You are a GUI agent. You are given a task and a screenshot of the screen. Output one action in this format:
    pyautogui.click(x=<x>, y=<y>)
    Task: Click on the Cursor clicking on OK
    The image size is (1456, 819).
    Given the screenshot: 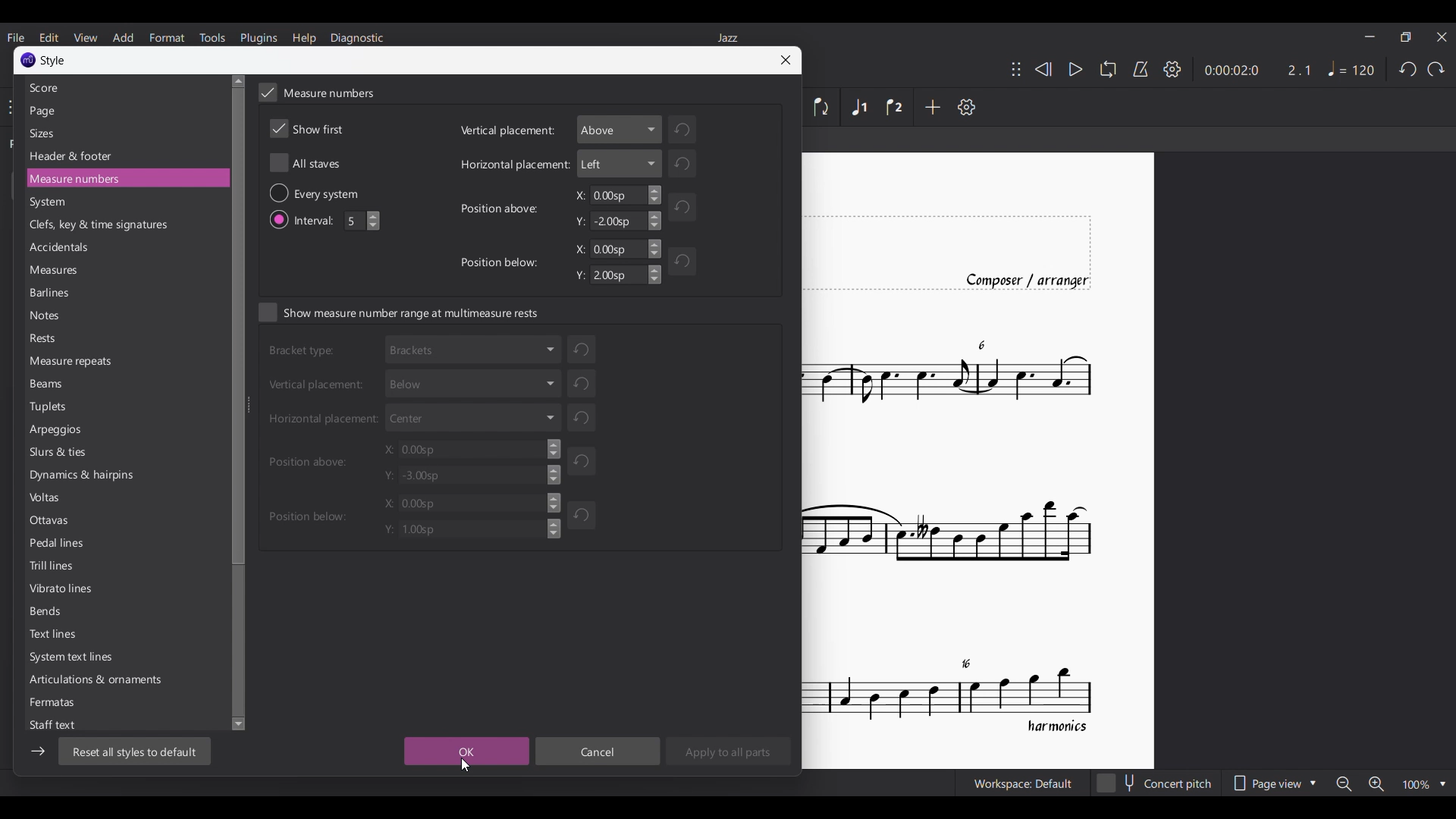 What is the action you would take?
    pyautogui.click(x=466, y=764)
    